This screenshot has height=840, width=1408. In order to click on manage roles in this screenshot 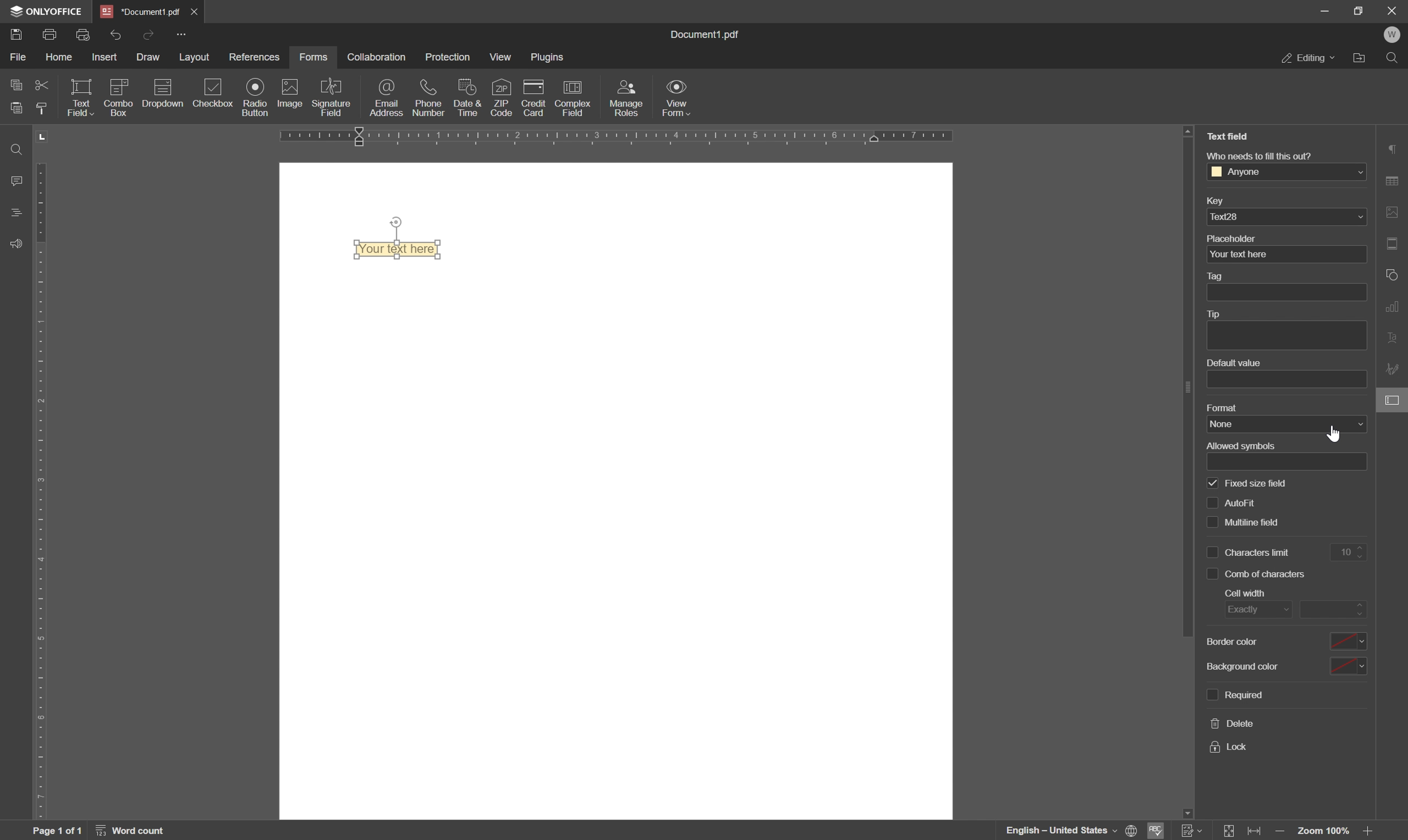, I will do `click(628, 97)`.